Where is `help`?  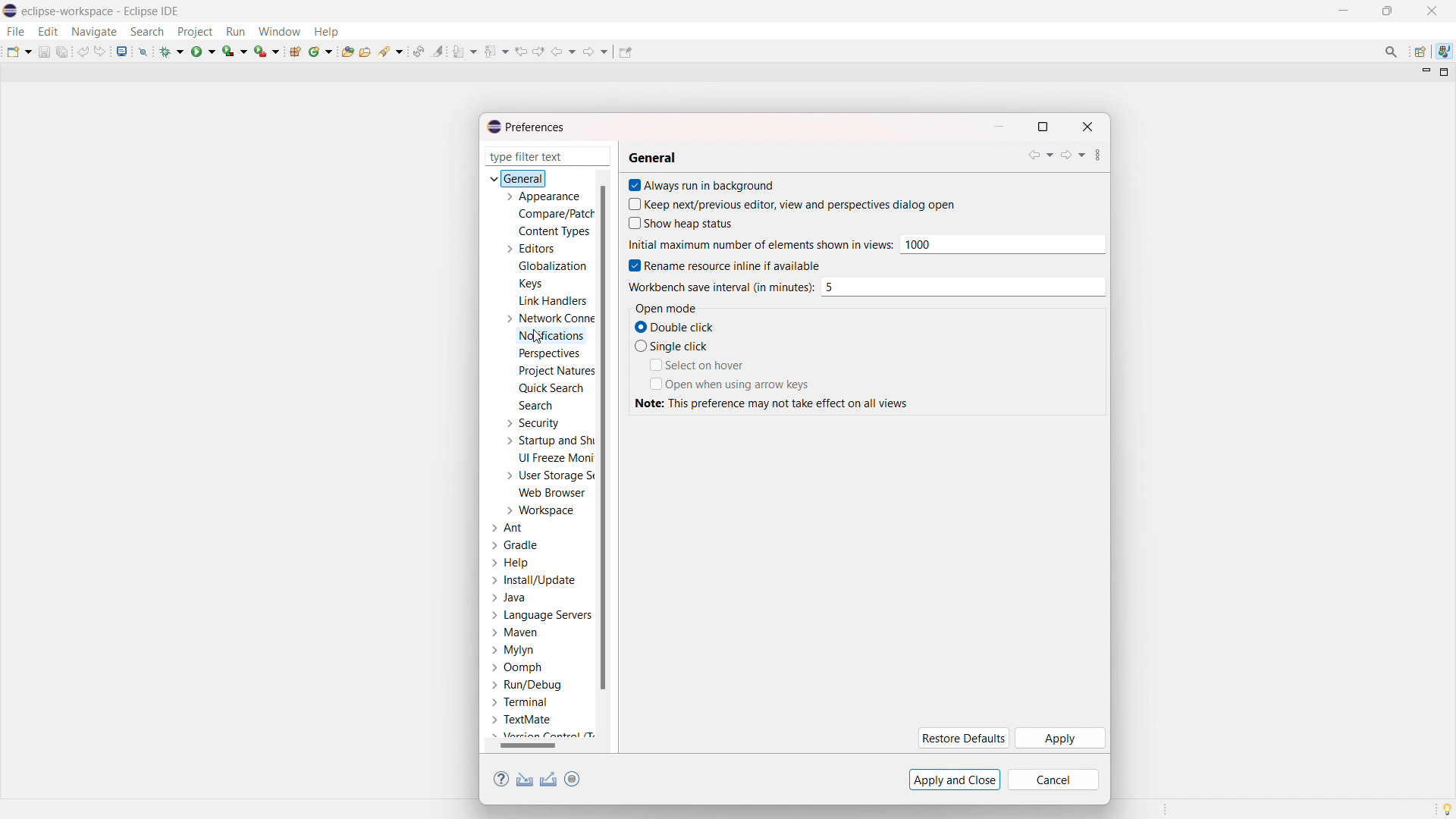 help is located at coordinates (501, 780).